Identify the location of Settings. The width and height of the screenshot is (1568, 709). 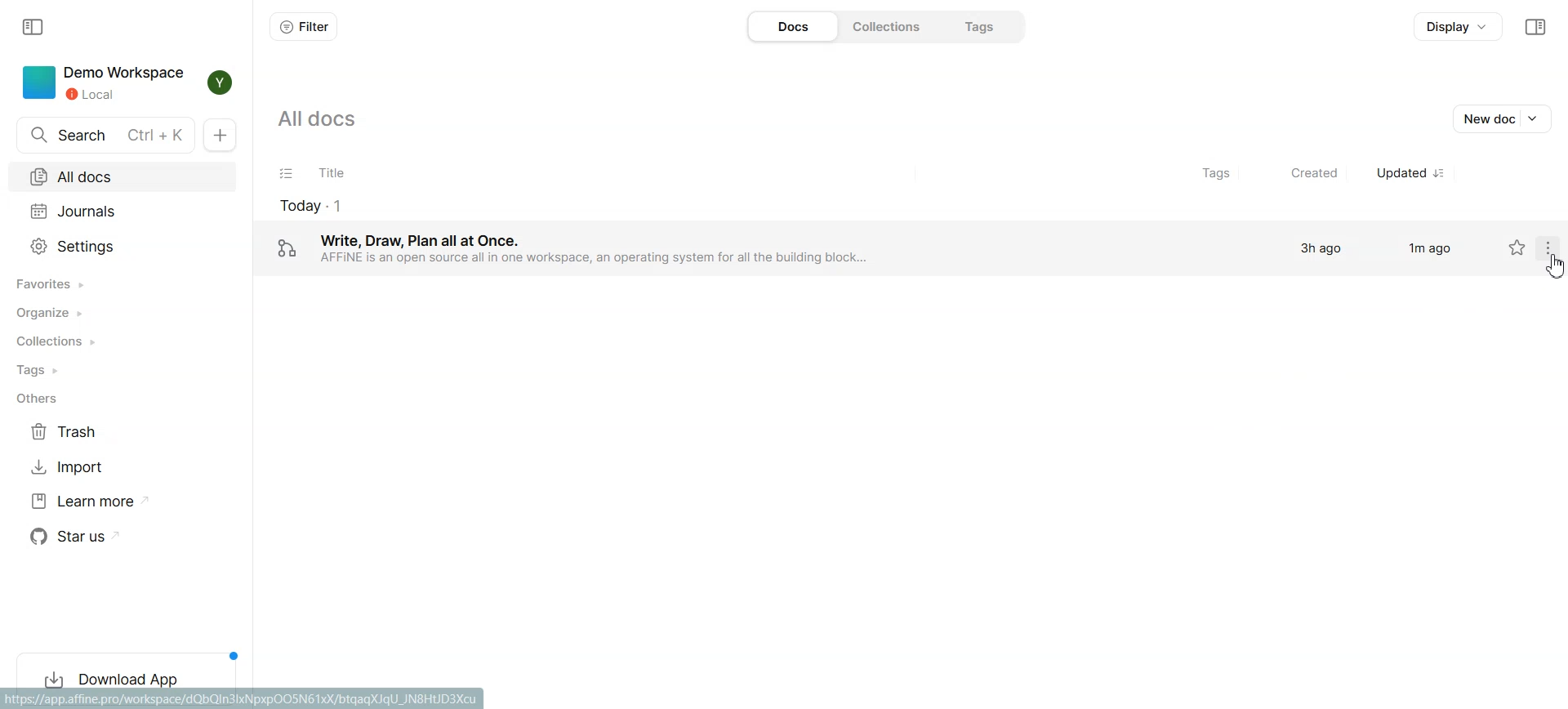
(122, 247).